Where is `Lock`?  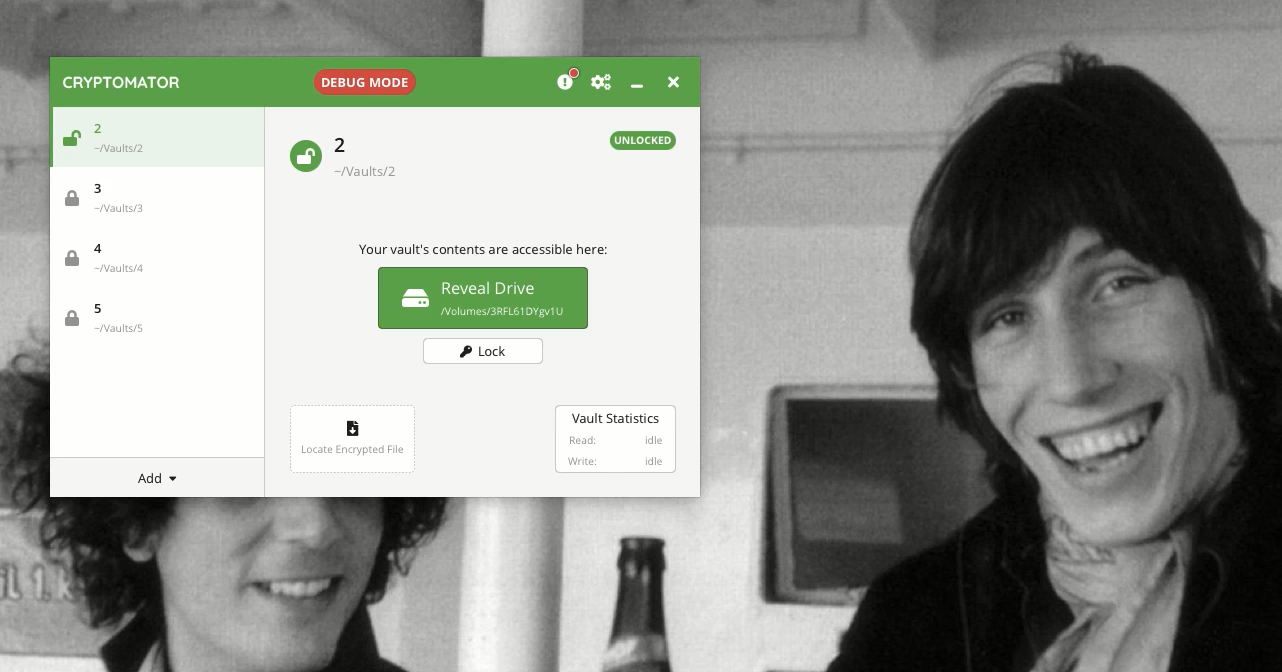
Lock is located at coordinates (480, 351).